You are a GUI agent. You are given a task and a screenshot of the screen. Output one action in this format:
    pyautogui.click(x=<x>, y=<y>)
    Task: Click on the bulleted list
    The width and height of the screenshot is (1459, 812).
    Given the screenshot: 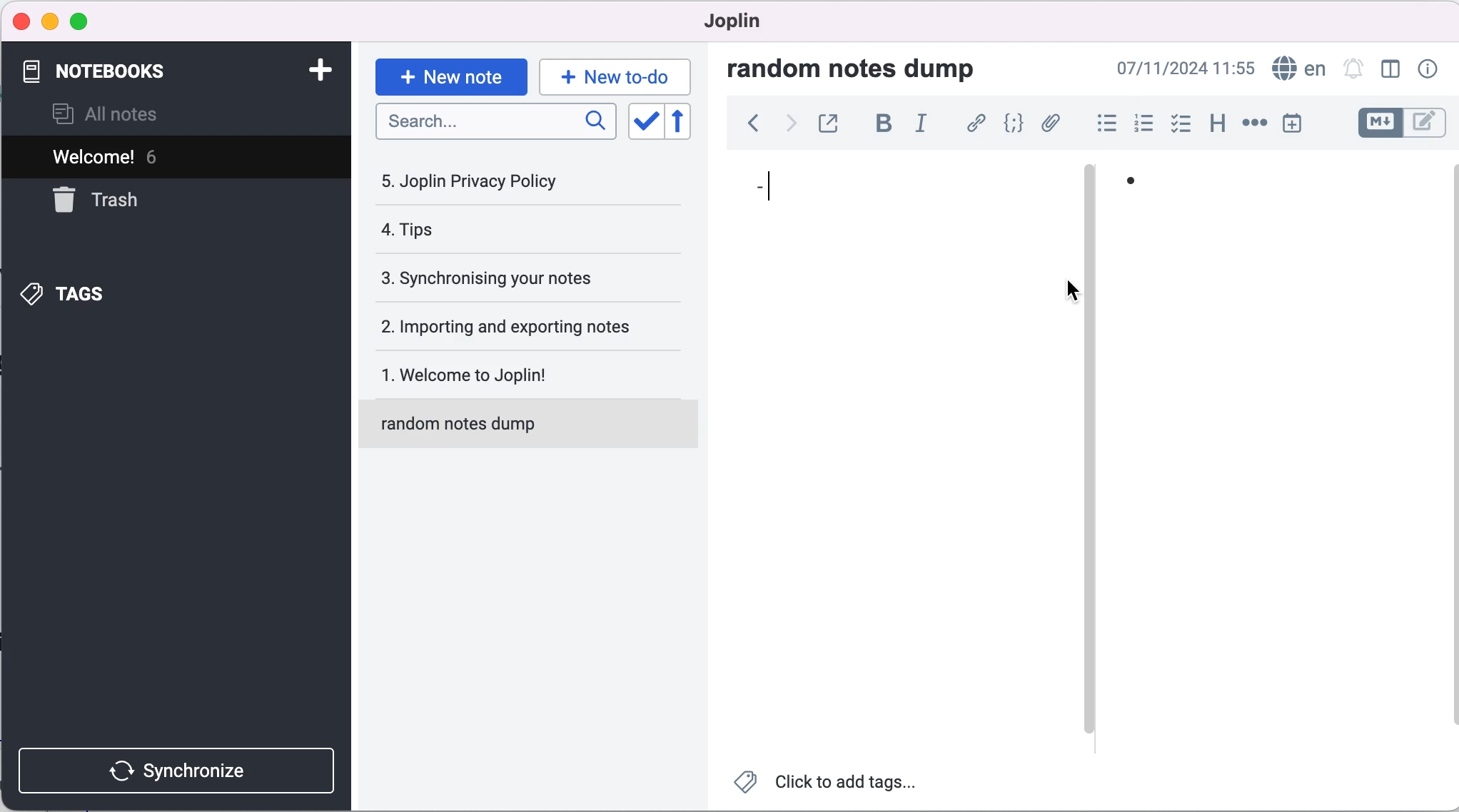 What is the action you would take?
    pyautogui.click(x=1101, y=123)
    